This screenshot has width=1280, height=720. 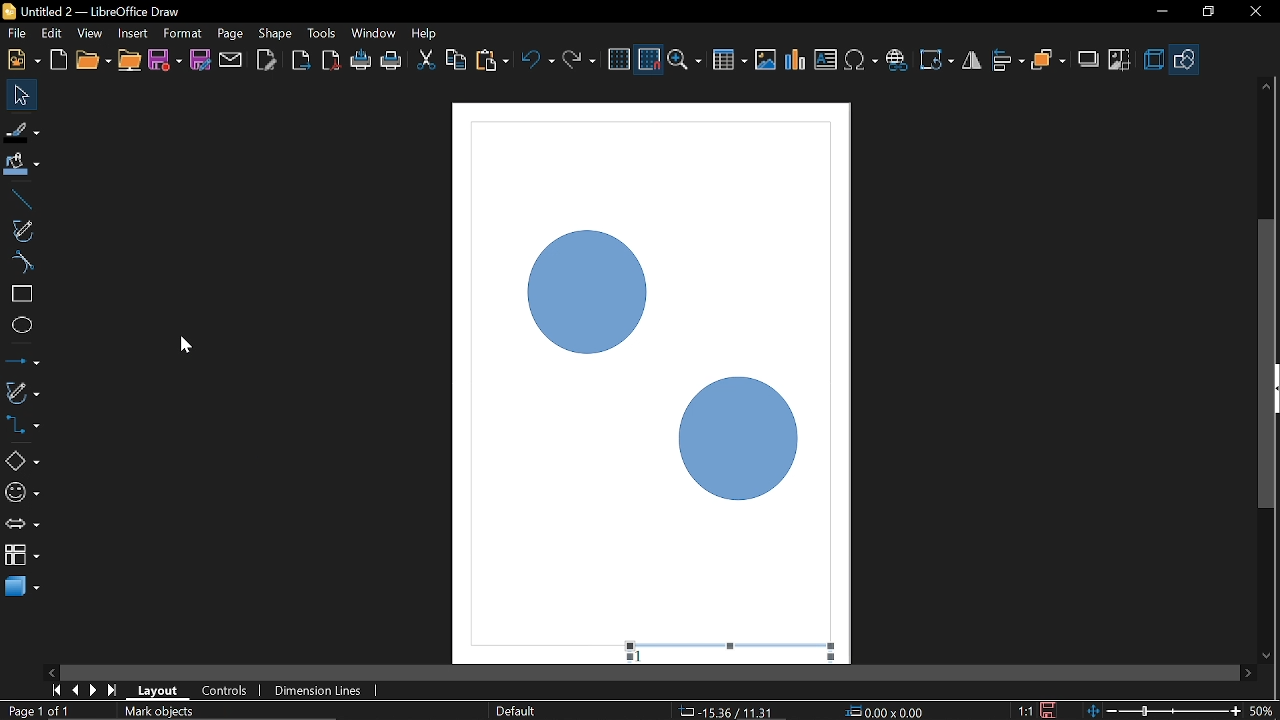 What do you see at coordinates (77, 690) in the screenshot?
I see `Previous page` at bounding box center [77, 690].